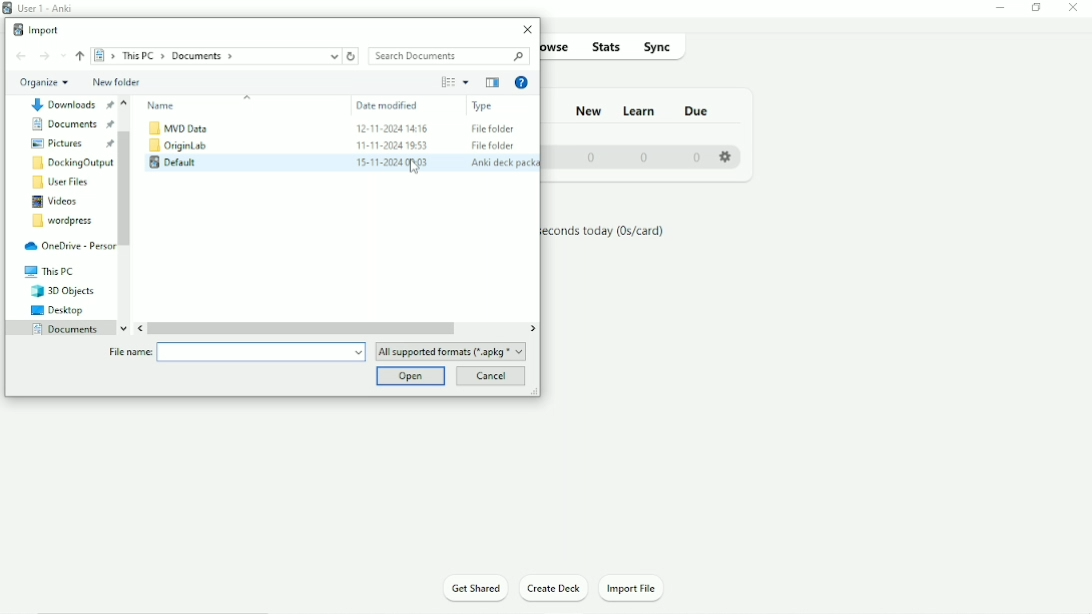  Describe the element at coordinates (494, 145) in the screenshot. I see `File Folder` at that location.